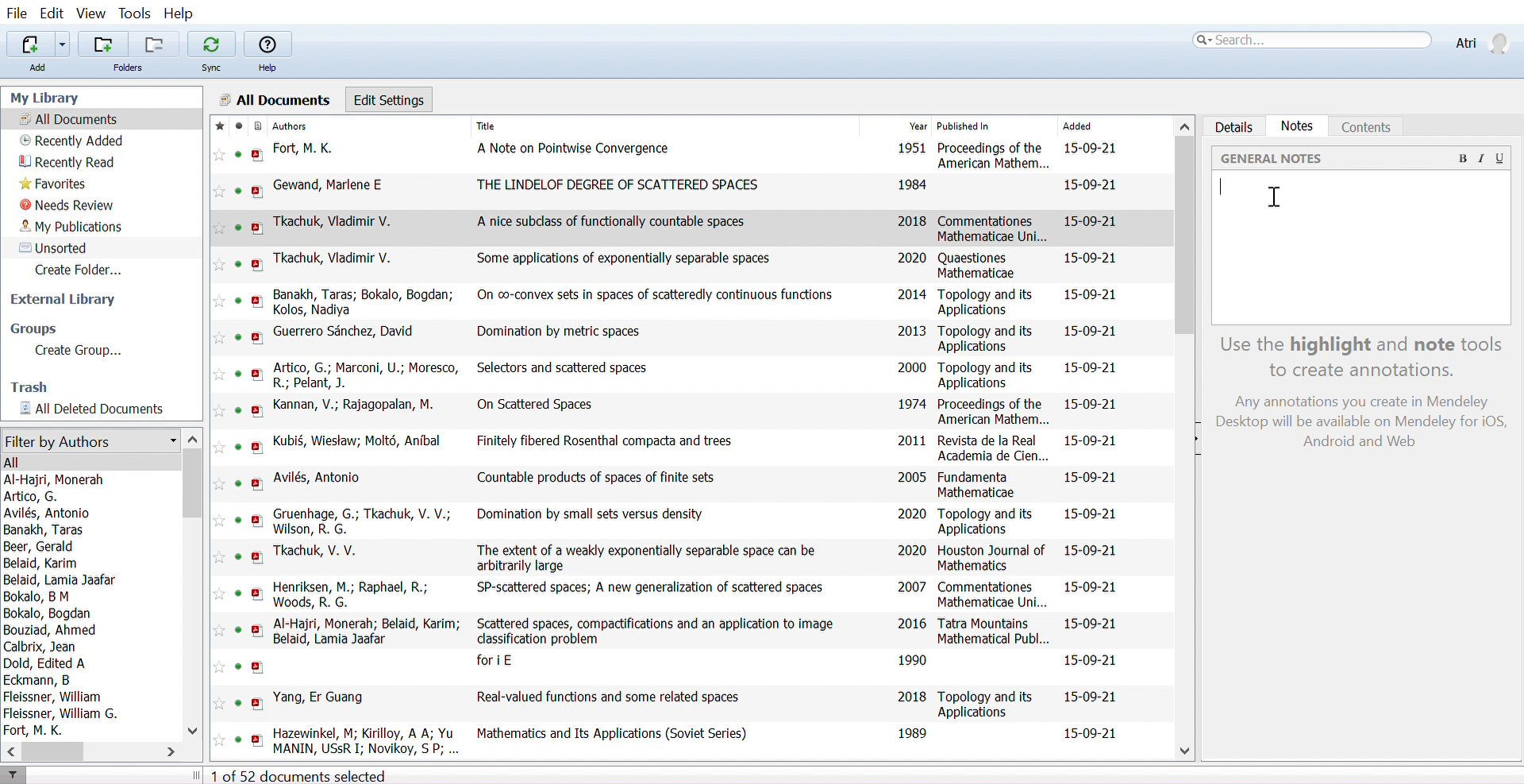  Describe the element at coordinates (333, 258) in the screenshot. I see `Tkachuk, Vladimir V.` at that location.